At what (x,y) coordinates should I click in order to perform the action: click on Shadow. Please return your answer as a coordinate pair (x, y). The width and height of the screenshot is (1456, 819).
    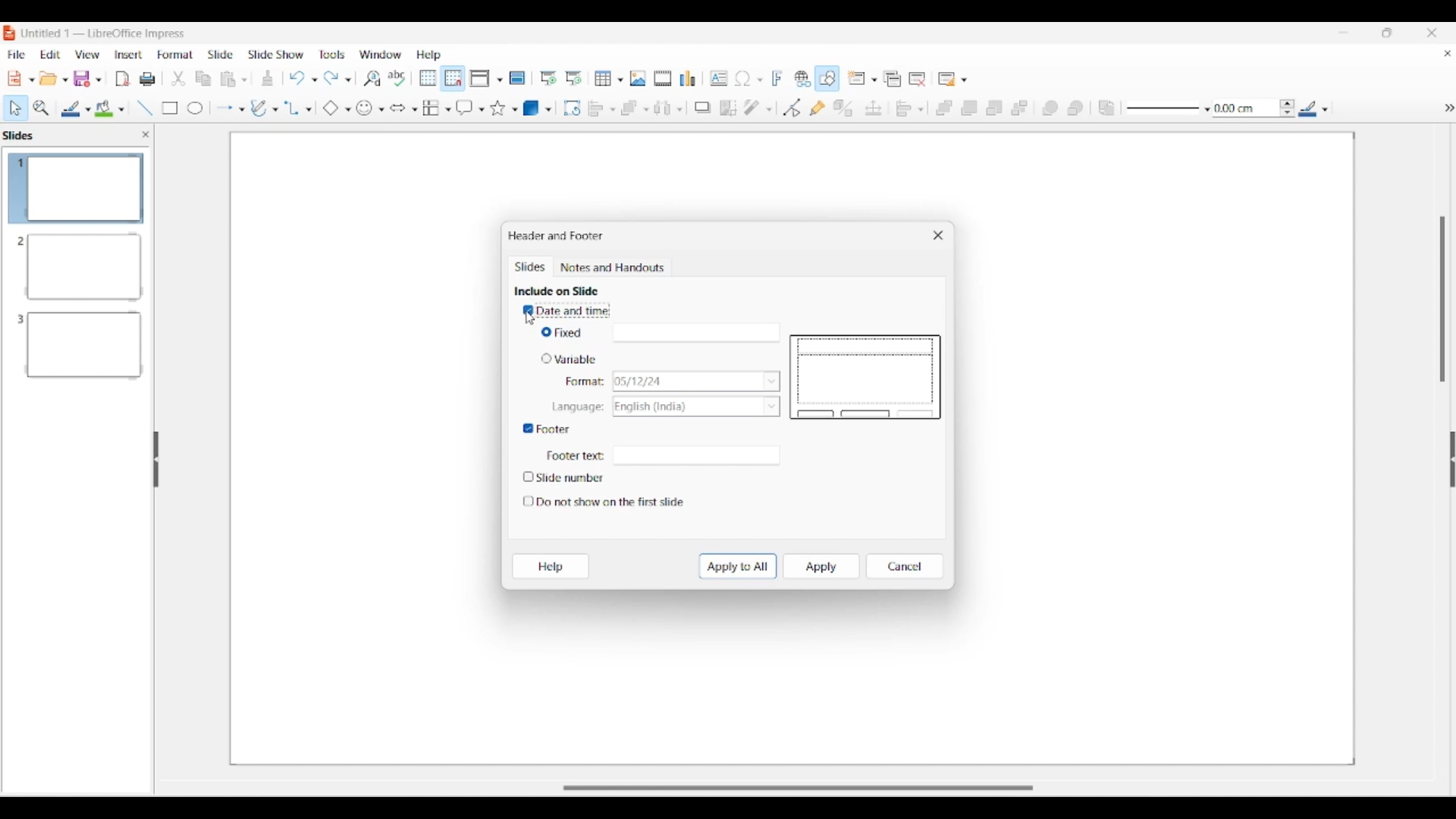
    Looking at the image, I should click on (702, 108).